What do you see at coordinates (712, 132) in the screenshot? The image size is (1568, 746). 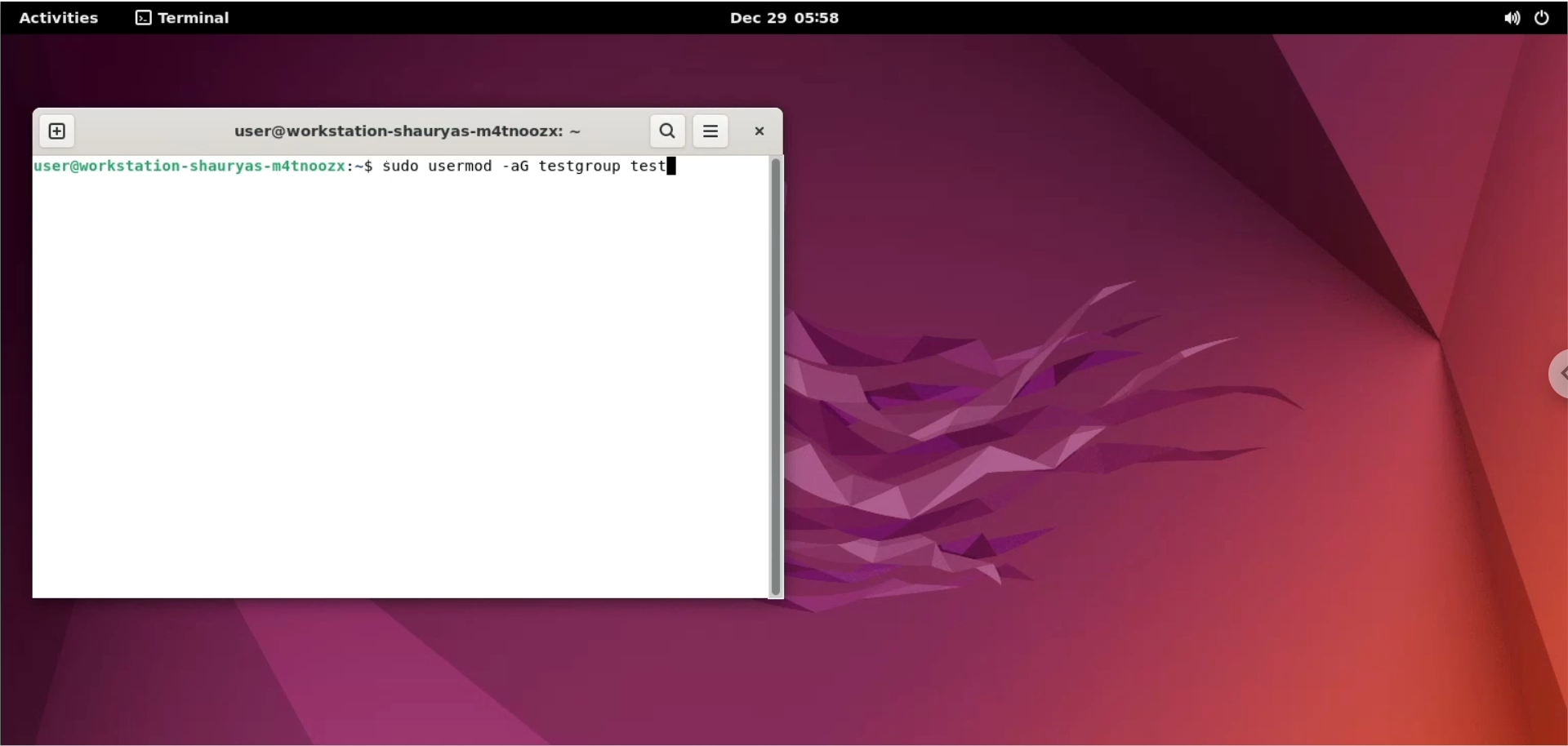 I see `more options` at bounding box center [712, 132].